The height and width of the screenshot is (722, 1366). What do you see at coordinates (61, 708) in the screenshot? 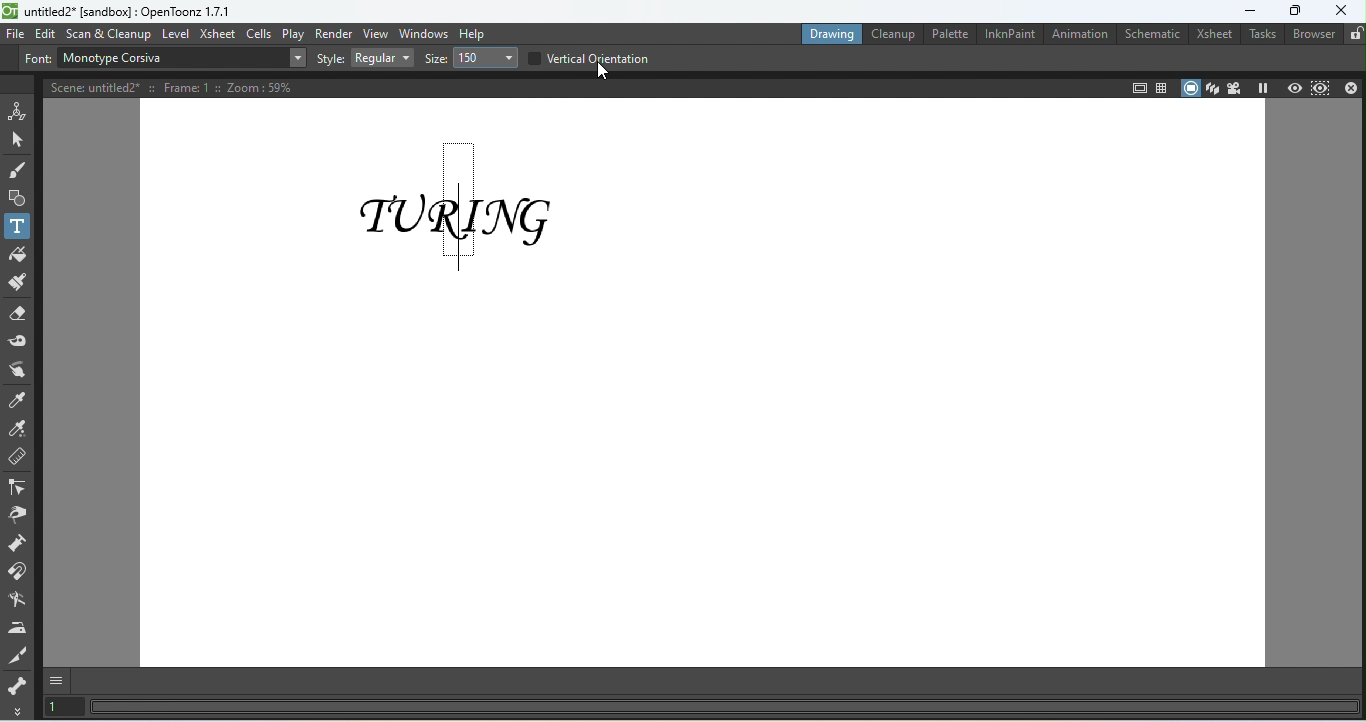
I see `Set the current frame` at bounding box center [61, 708].